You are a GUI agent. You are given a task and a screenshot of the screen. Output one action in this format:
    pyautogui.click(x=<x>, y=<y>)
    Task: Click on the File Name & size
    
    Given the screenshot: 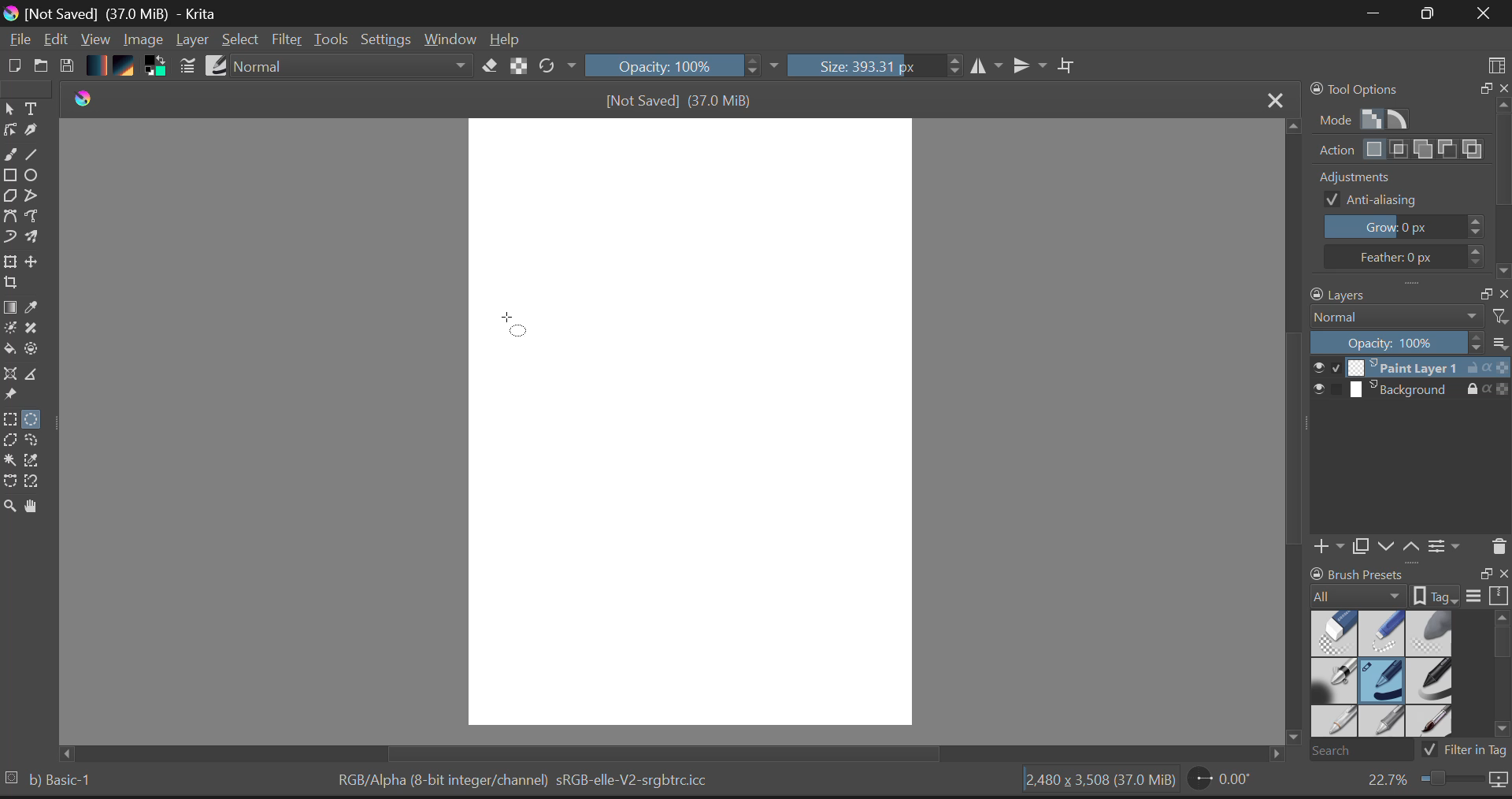 What is the action you would take?
    pyautogui.click(x=679, y=100)
    